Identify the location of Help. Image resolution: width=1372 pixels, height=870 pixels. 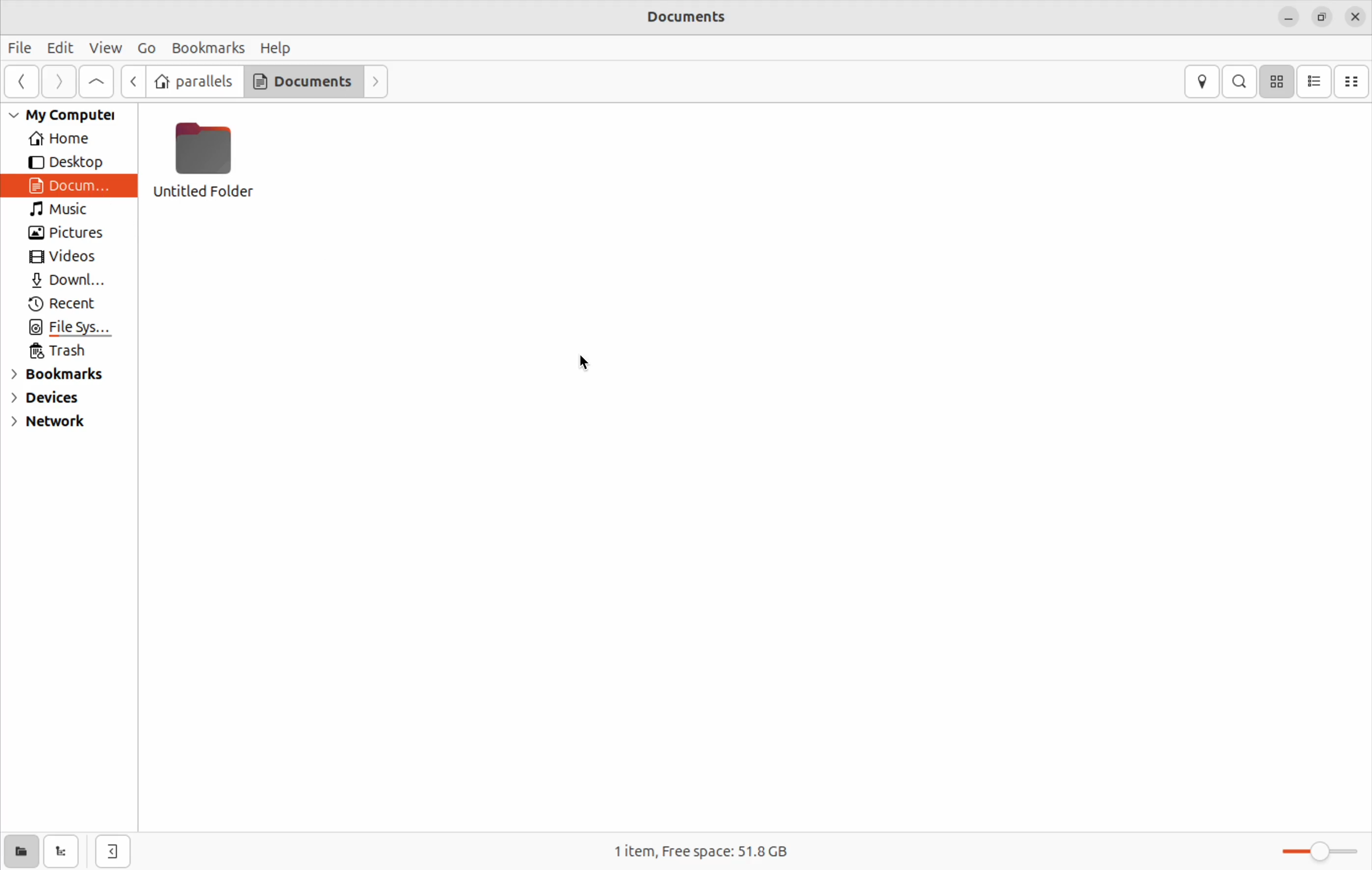
(278, 46).